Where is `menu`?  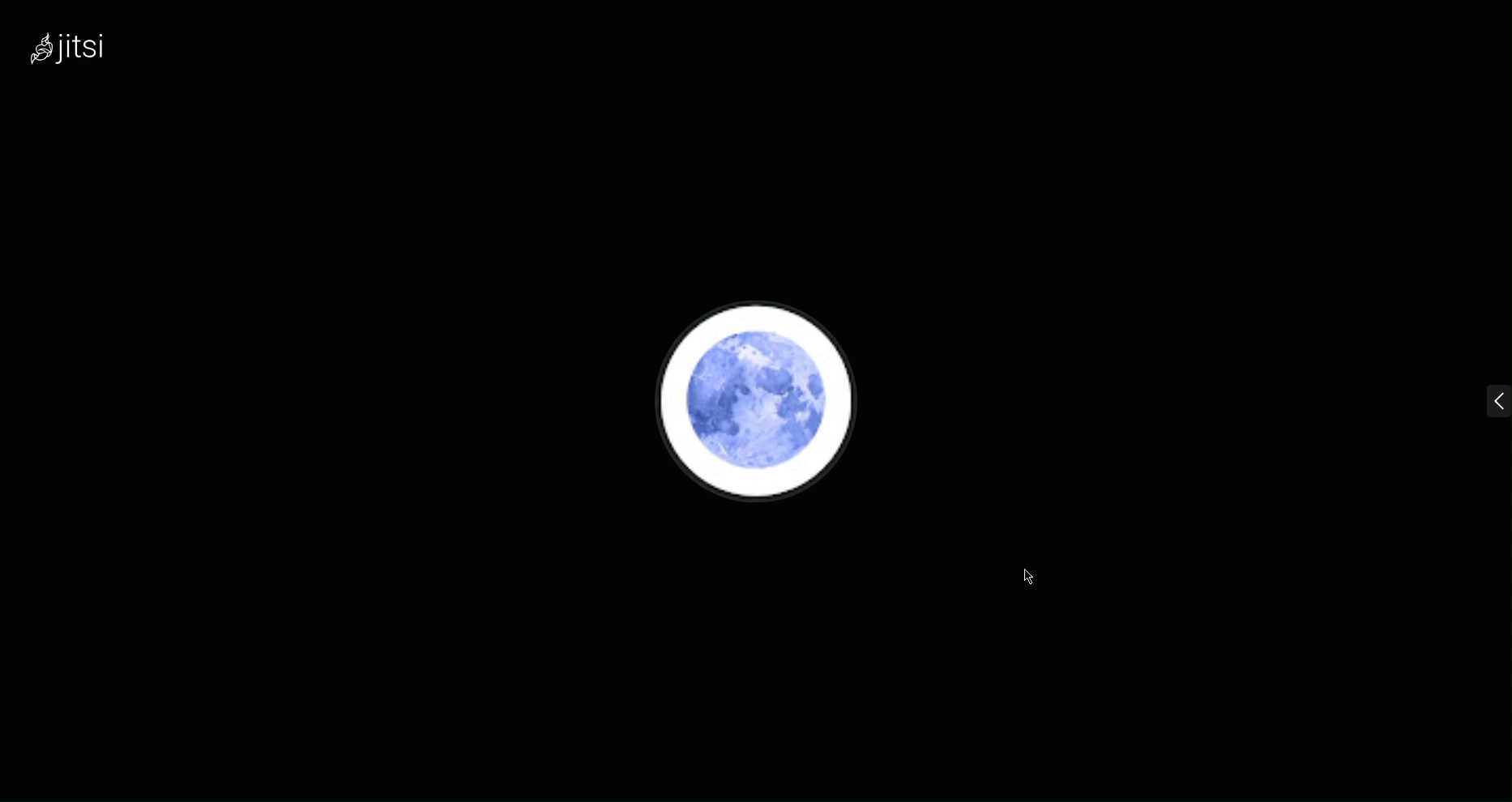 menu is located at coordinates (1471, 395).